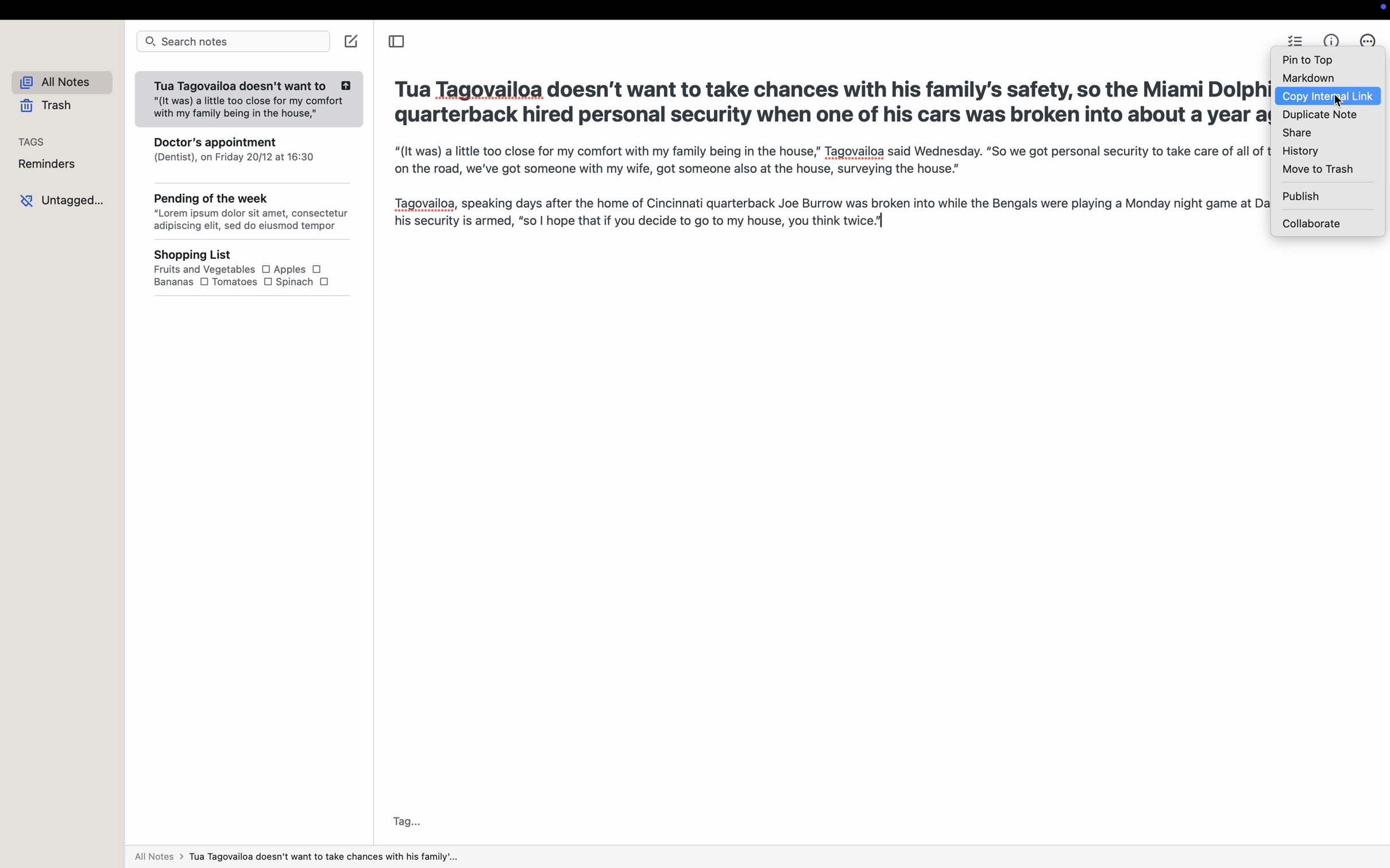 The width and height of the screenshot is (1390, 868). Describe the element at coordinates (45, 107) in the screenshot. I see `trash` at that location.